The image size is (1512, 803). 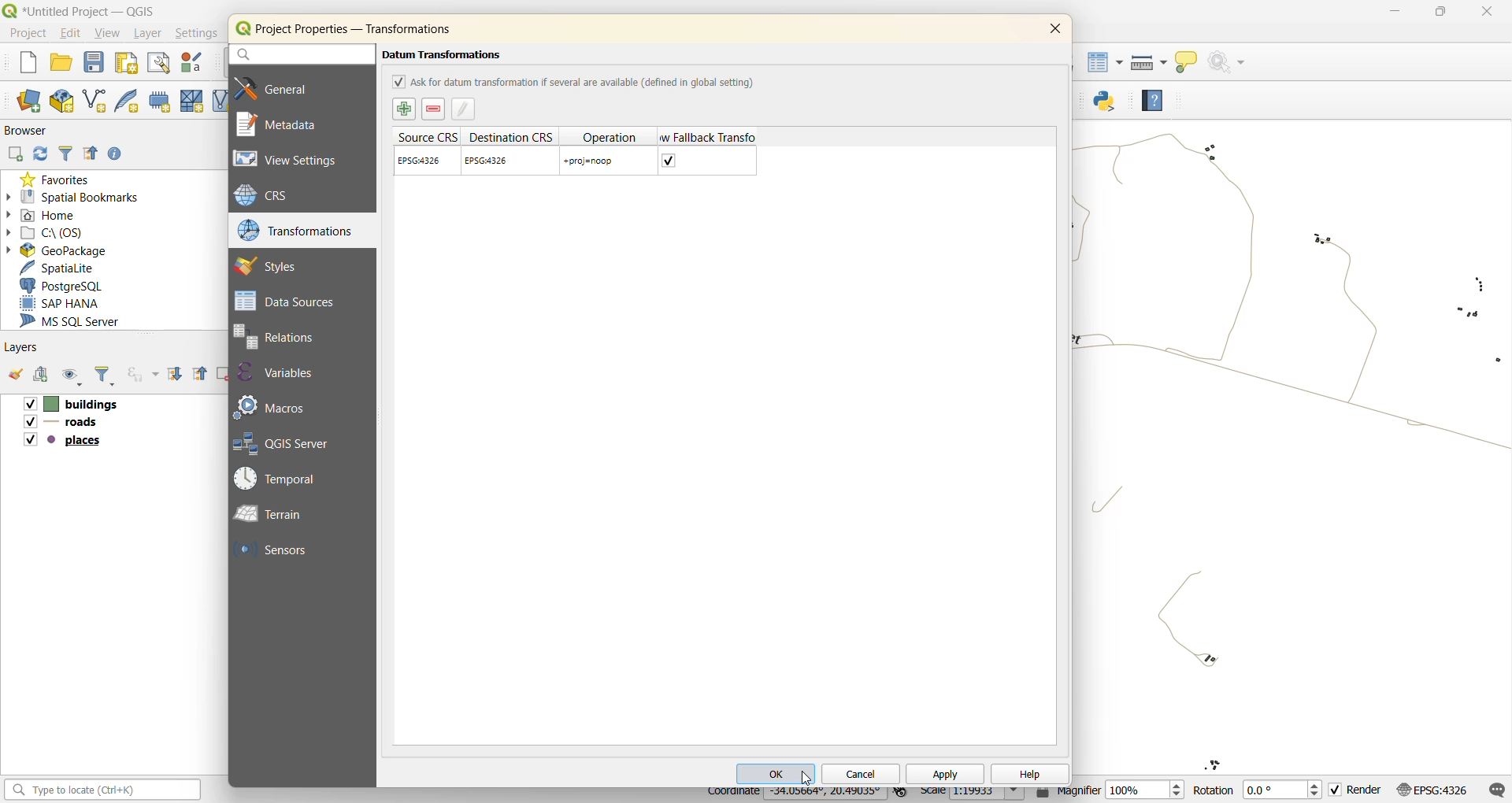 What do you see at coordinates (14, 155) in the screenshot?
I see `add` at bounding box center [14, 155].